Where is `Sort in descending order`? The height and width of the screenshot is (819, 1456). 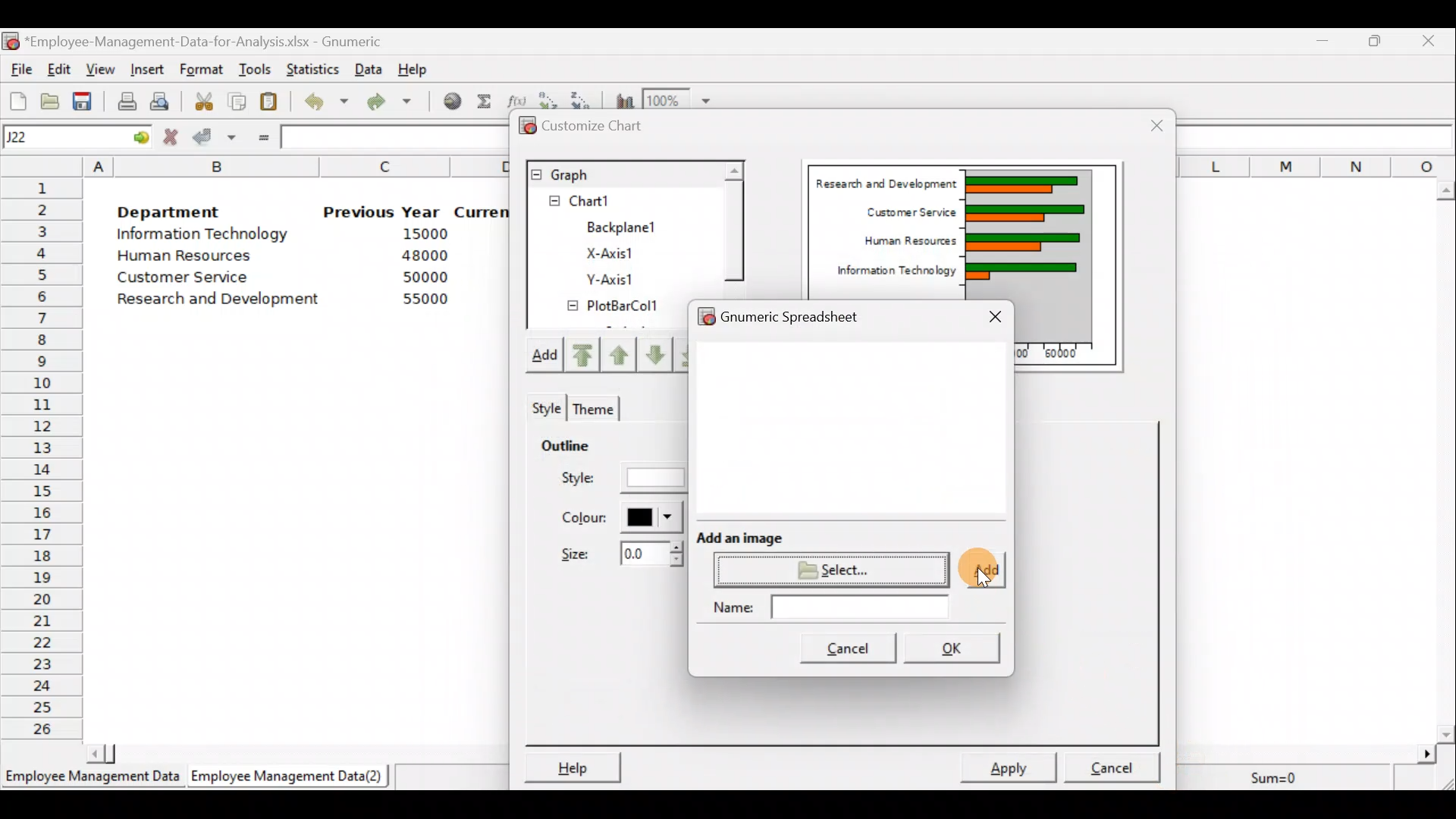
Sort in descending order is located at coordinates (583, 98).